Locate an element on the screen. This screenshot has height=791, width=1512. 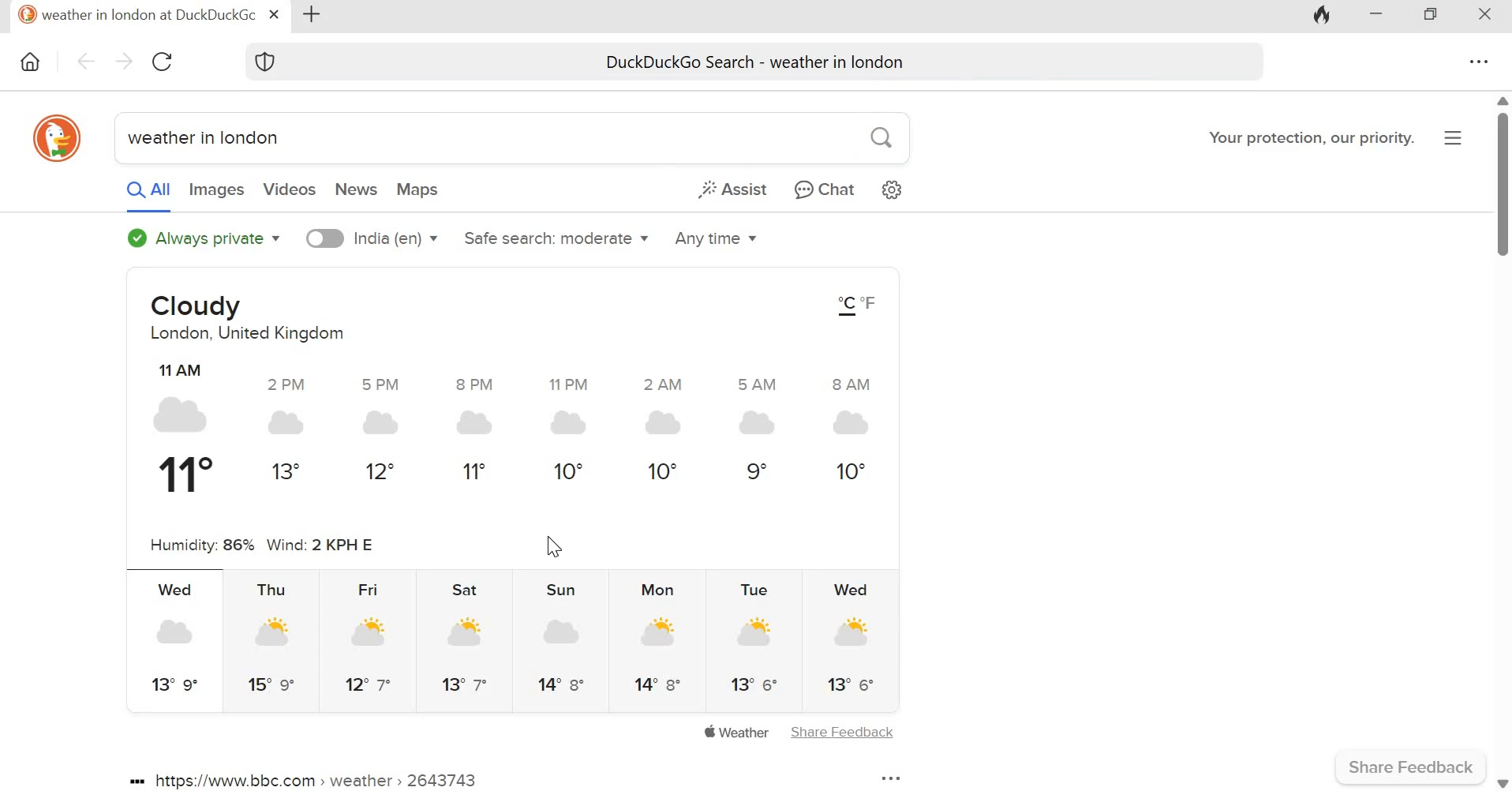
Indicates cloudy is located at coordinates (851, 423).